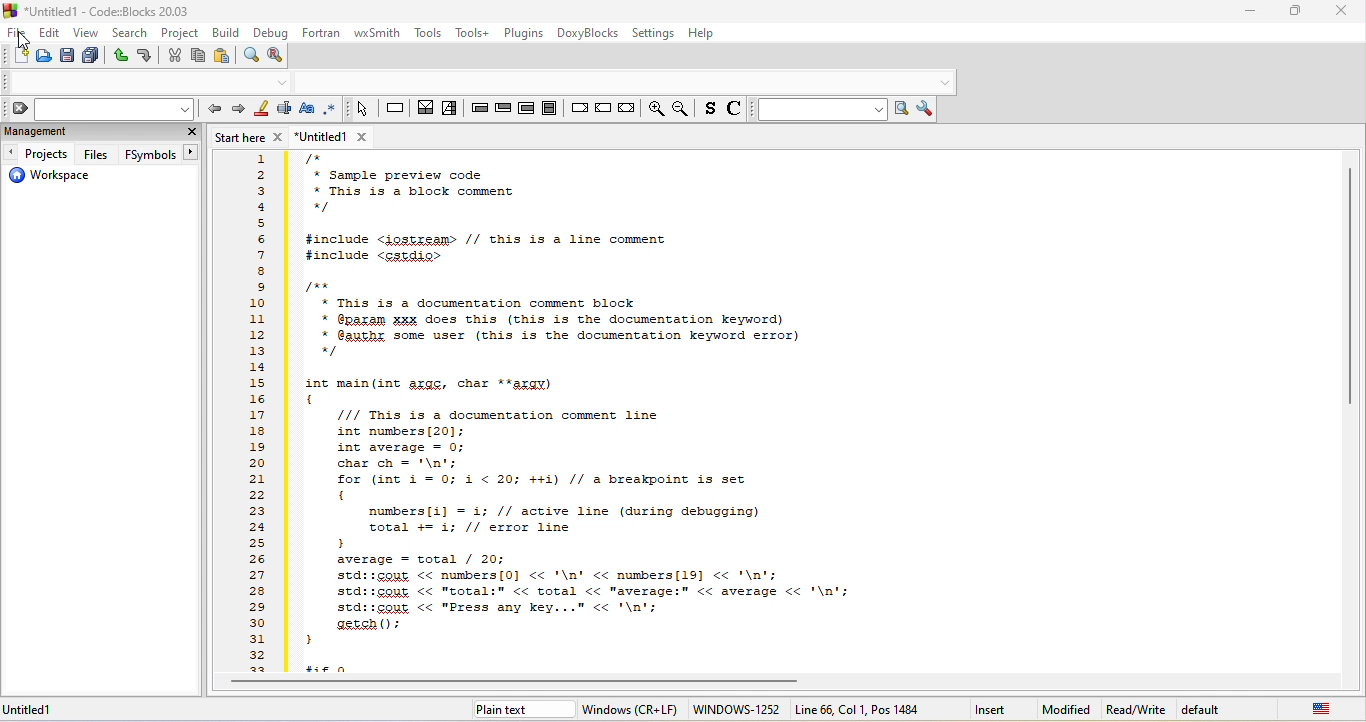 This screenshot has height=722, width=1366. What do you see at coordinates (97, 153) in the screenshot?
I see `files` at bounding box center [97, 153].